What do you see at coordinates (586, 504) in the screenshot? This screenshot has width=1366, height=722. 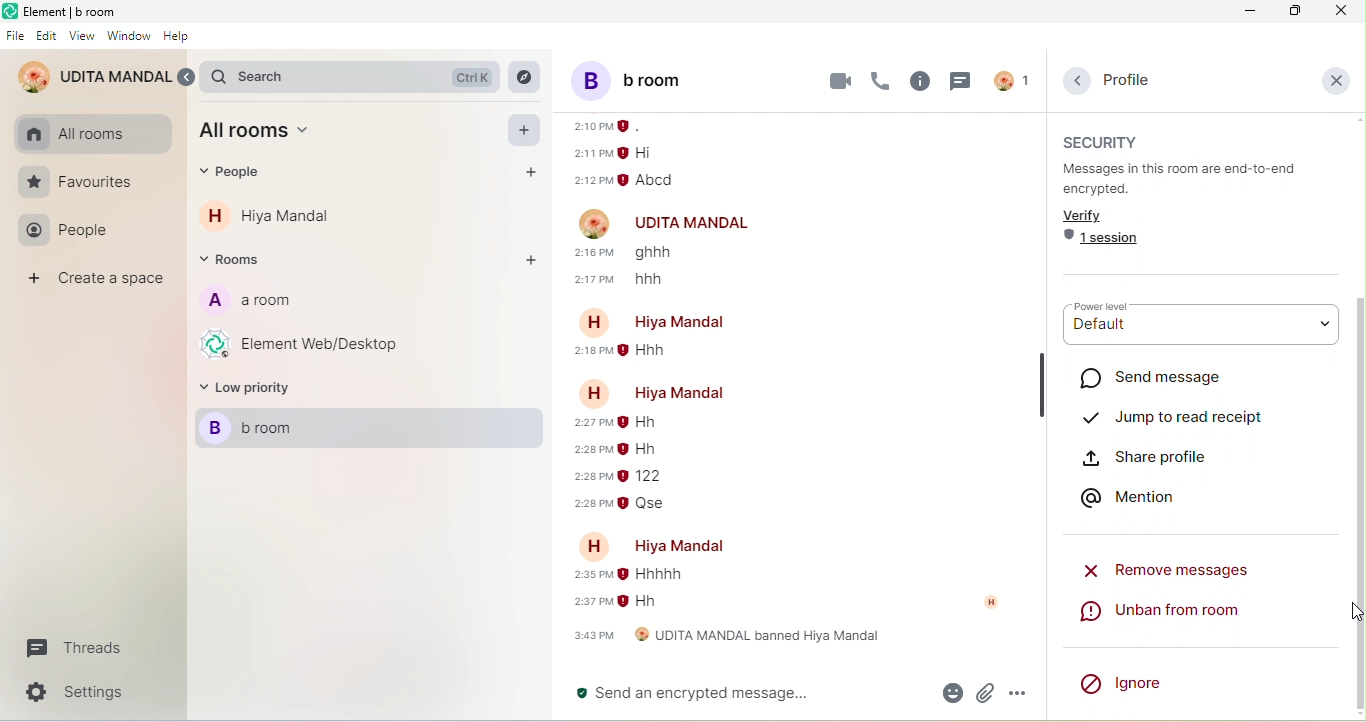 I see `sending message time` at bounding box center [586, 504].